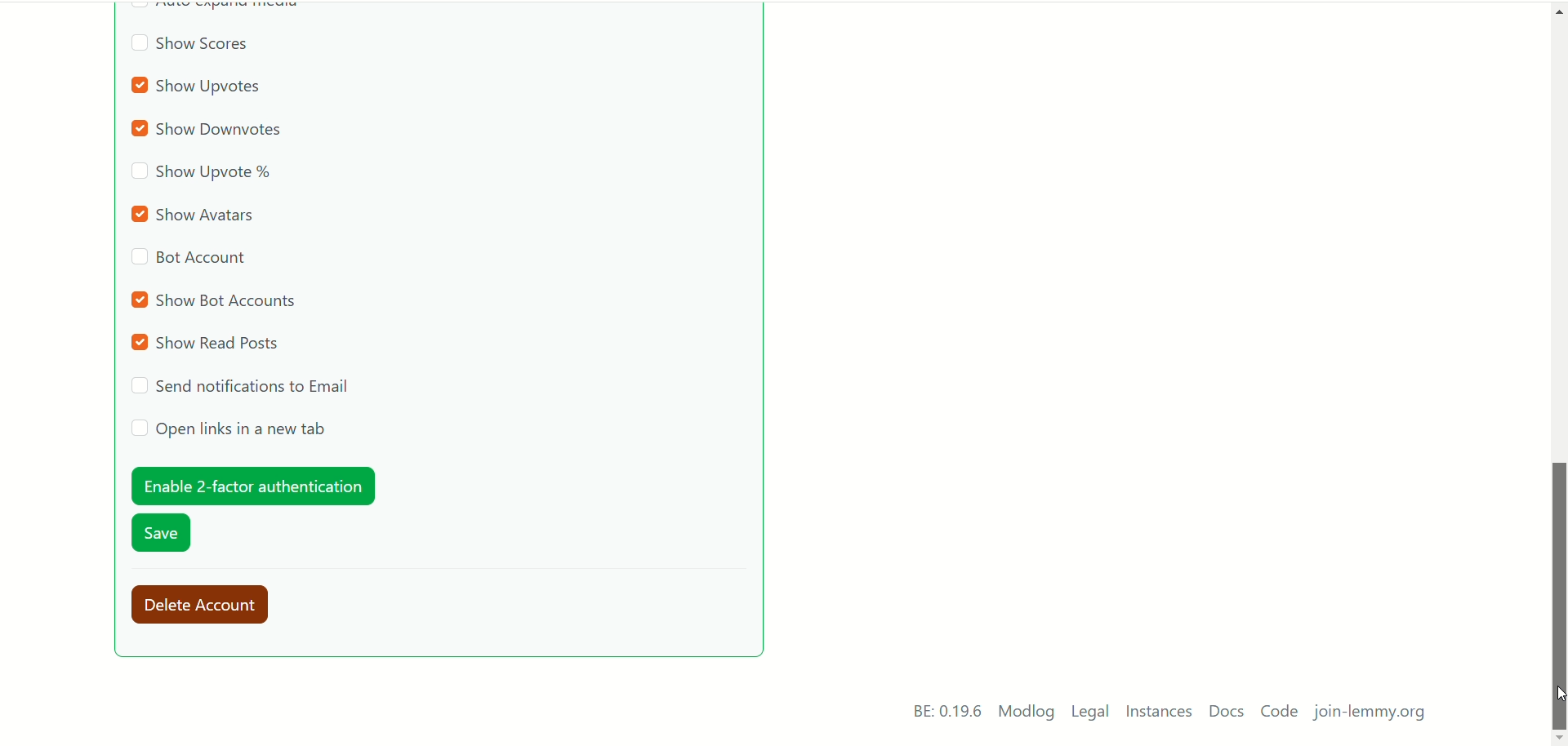 The image size is (1568, 746). Describe the element at coordinates (199, 87) in the screenshot. I see `show upvotes` at that location.